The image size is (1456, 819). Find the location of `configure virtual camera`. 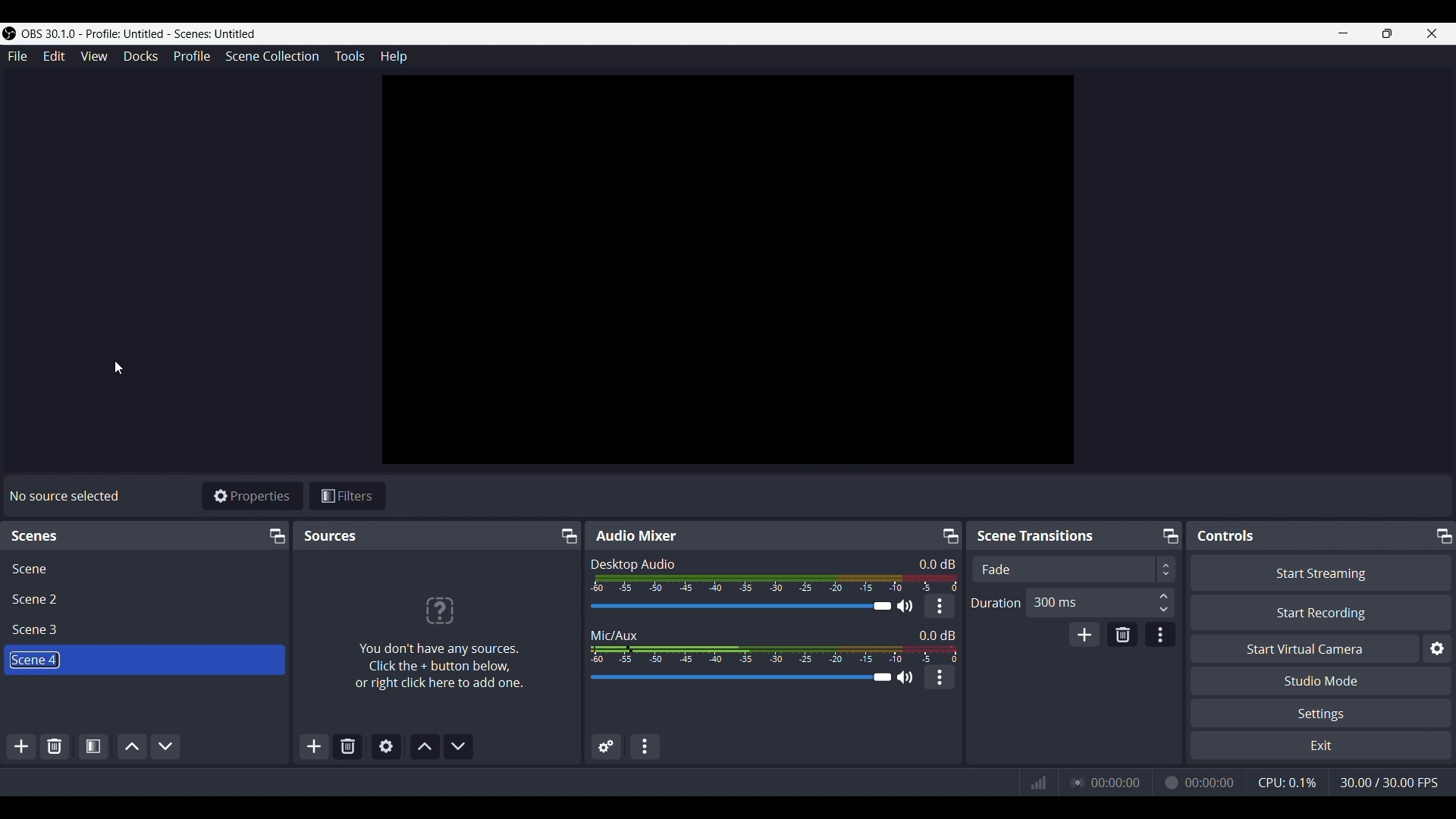

configure virtual camera is located at coordinates (1436, 649).